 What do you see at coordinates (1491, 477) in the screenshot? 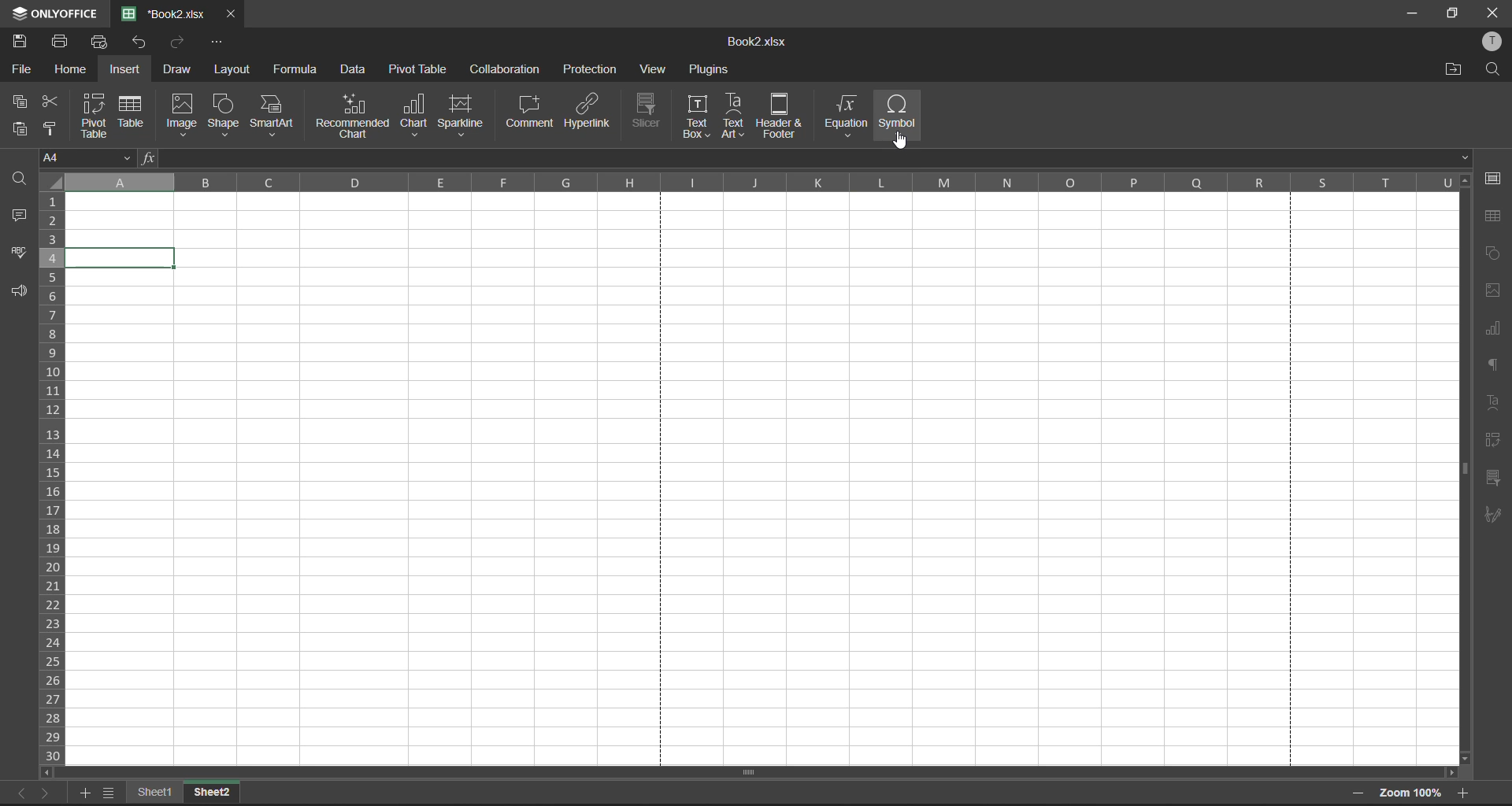
I see `slicer` at bounding box center [1491, 477].